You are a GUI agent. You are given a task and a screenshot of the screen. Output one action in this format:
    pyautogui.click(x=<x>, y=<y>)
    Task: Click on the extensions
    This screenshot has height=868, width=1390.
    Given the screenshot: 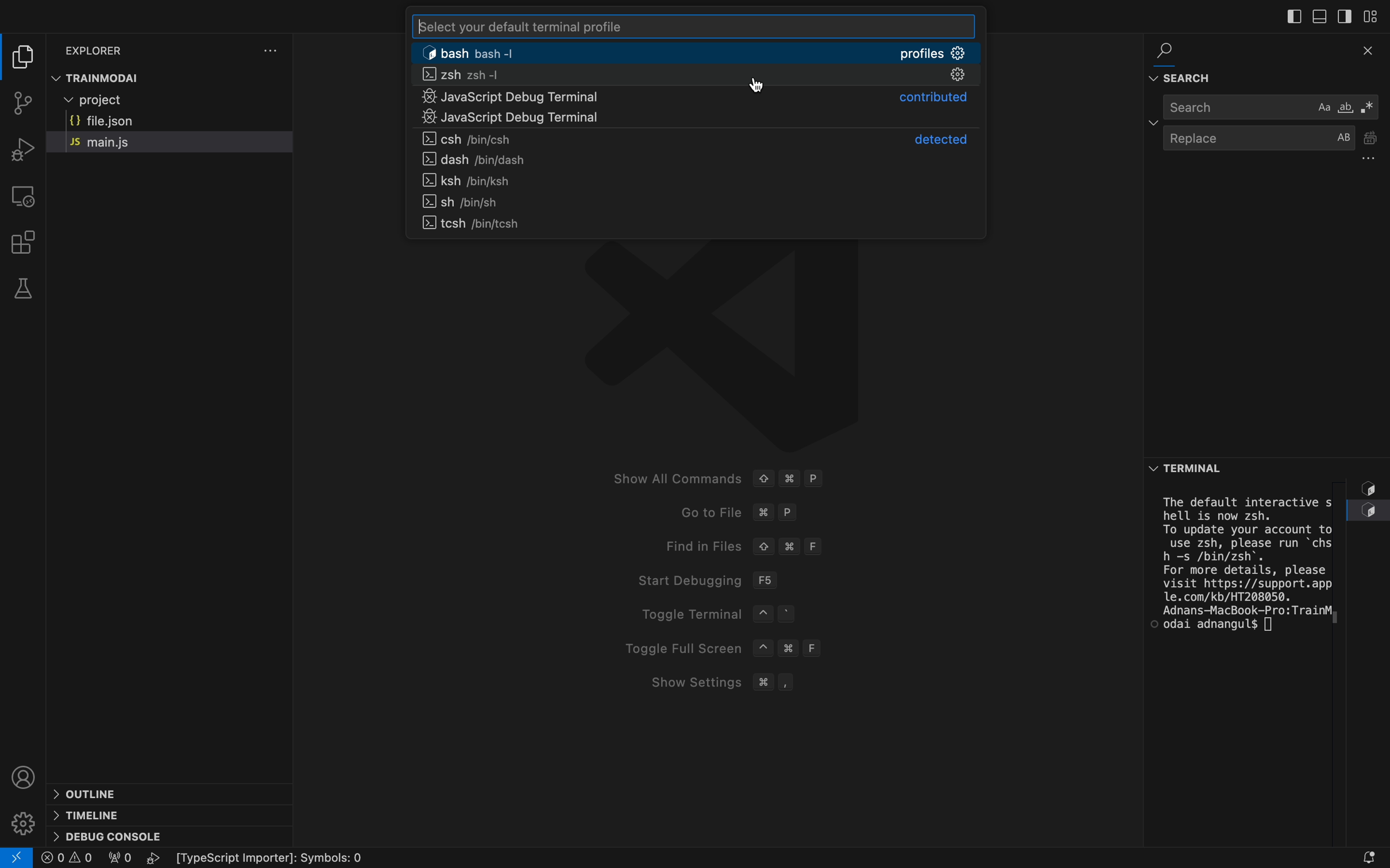 What is the action you would take?
    pyautogui.click(x=28, y=242)
    